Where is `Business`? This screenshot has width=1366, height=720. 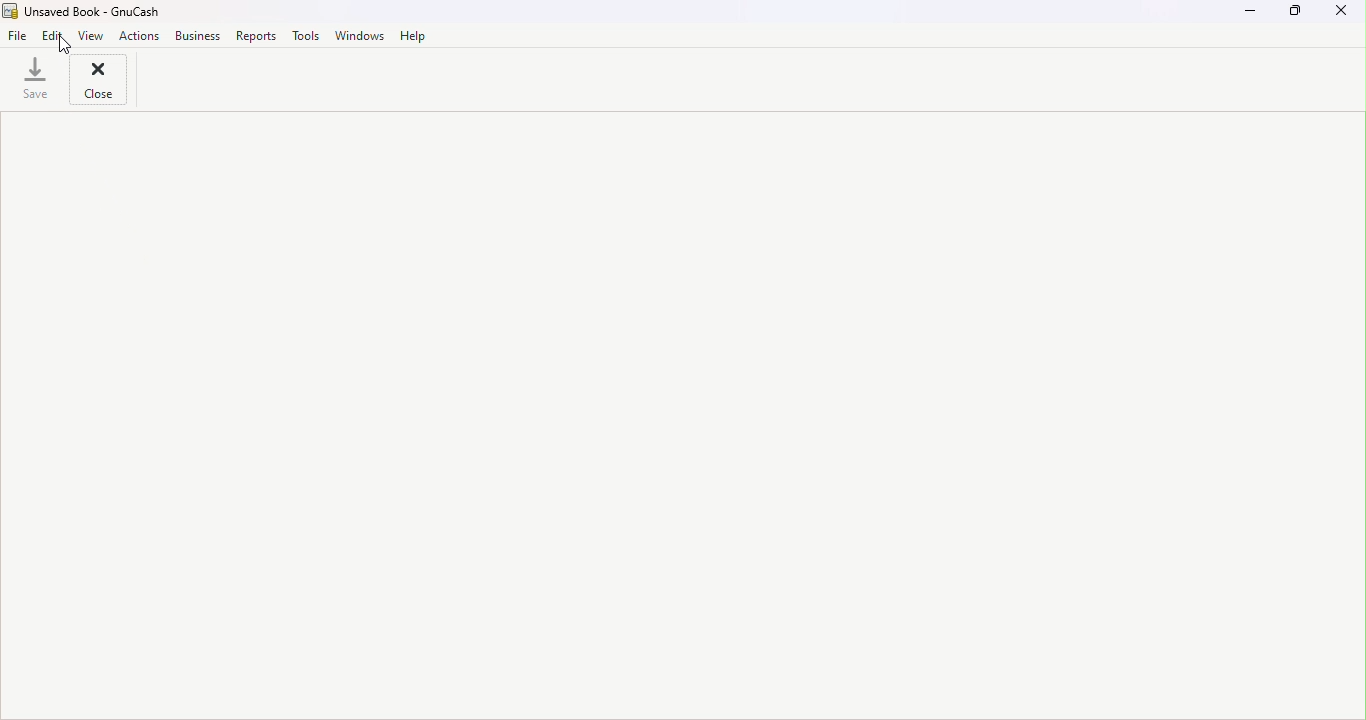
Business is located at coordinates (198, 36).